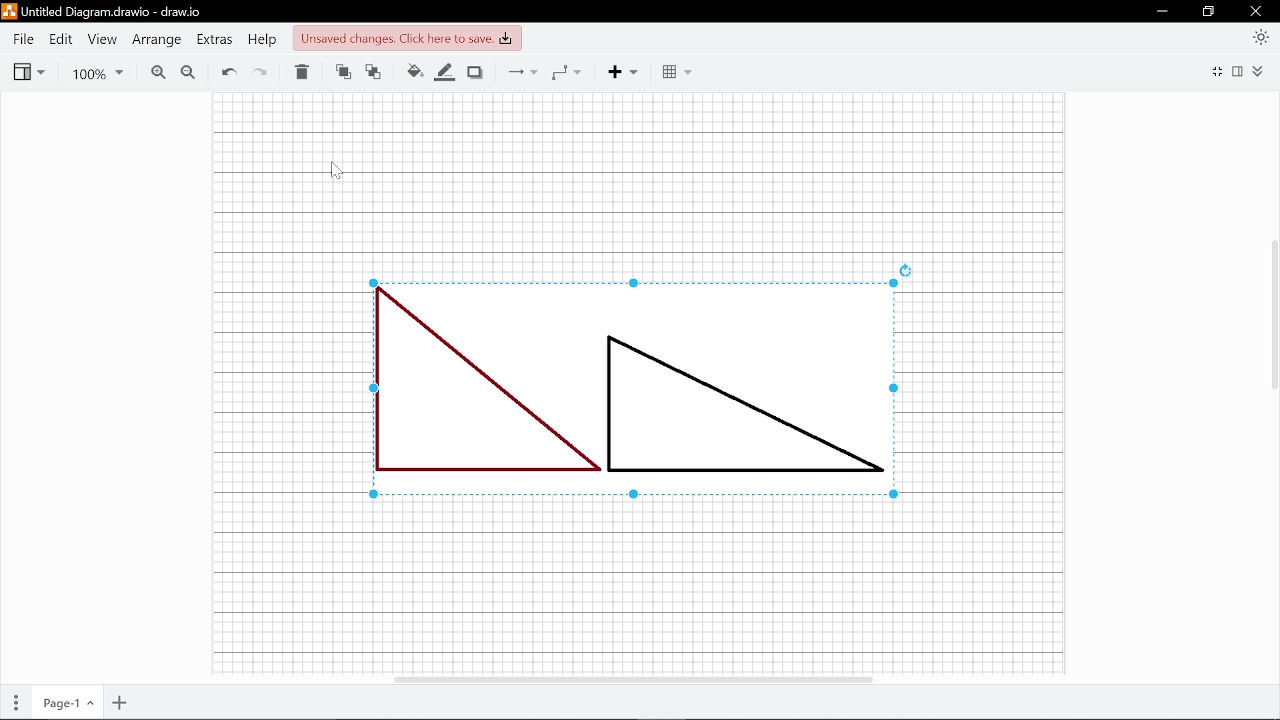  Describe the element at coordinates (1272, 311) in the screenshot. I see `Vertical scrollbar` at that location.